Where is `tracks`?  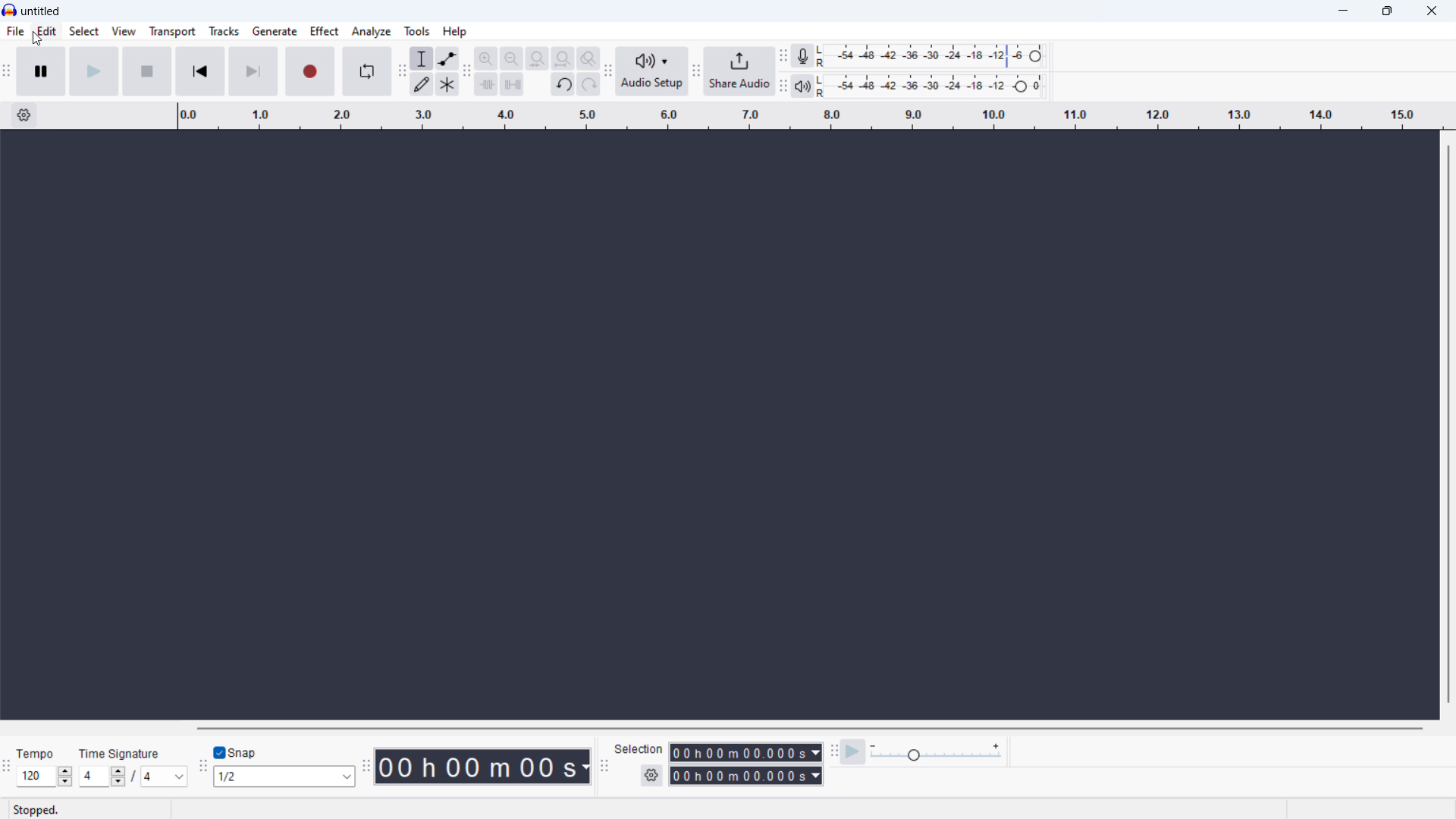 tracks is located at coordinates (224, 31).